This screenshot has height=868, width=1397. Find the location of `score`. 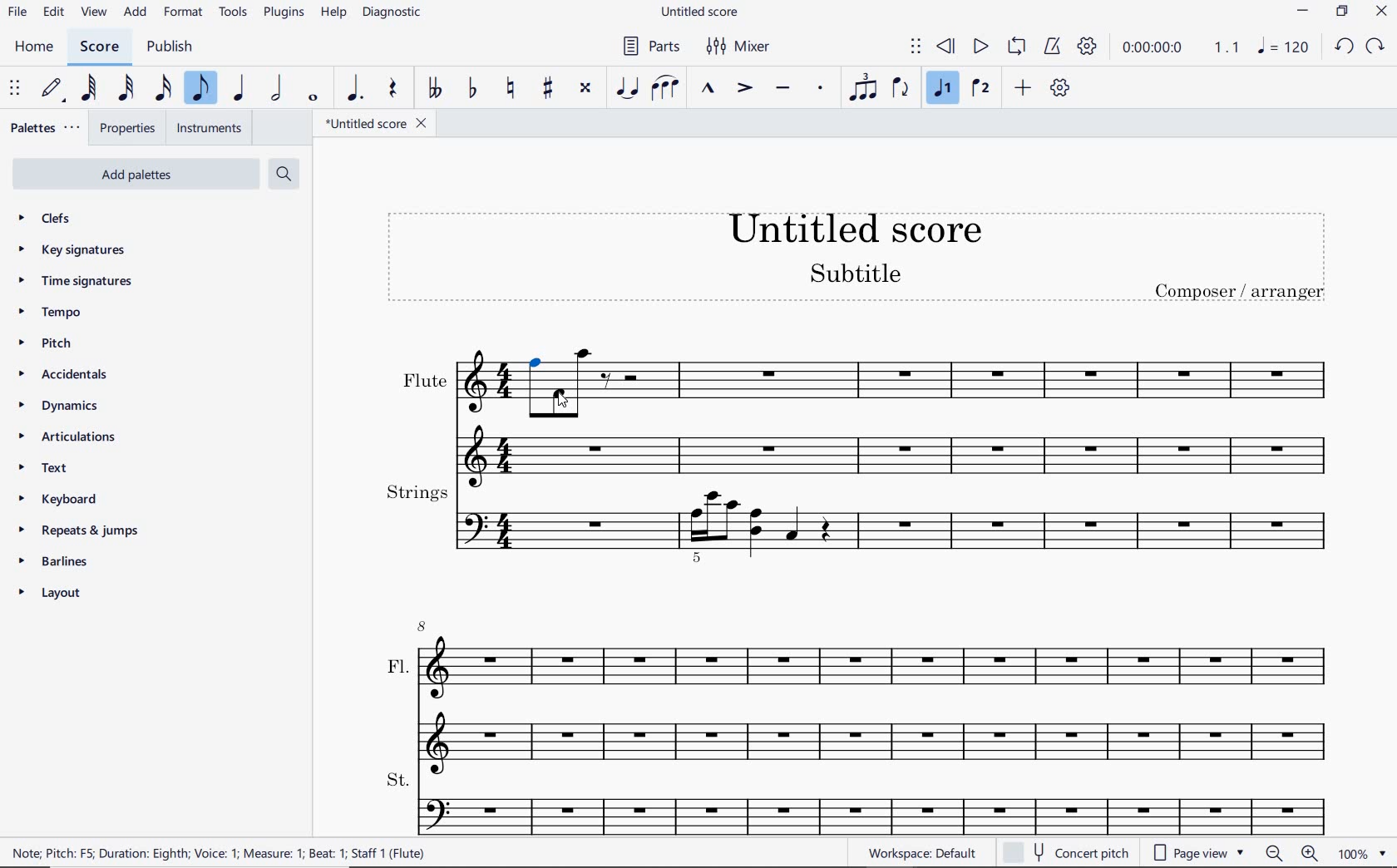

score is located at coordinates (97, 47).